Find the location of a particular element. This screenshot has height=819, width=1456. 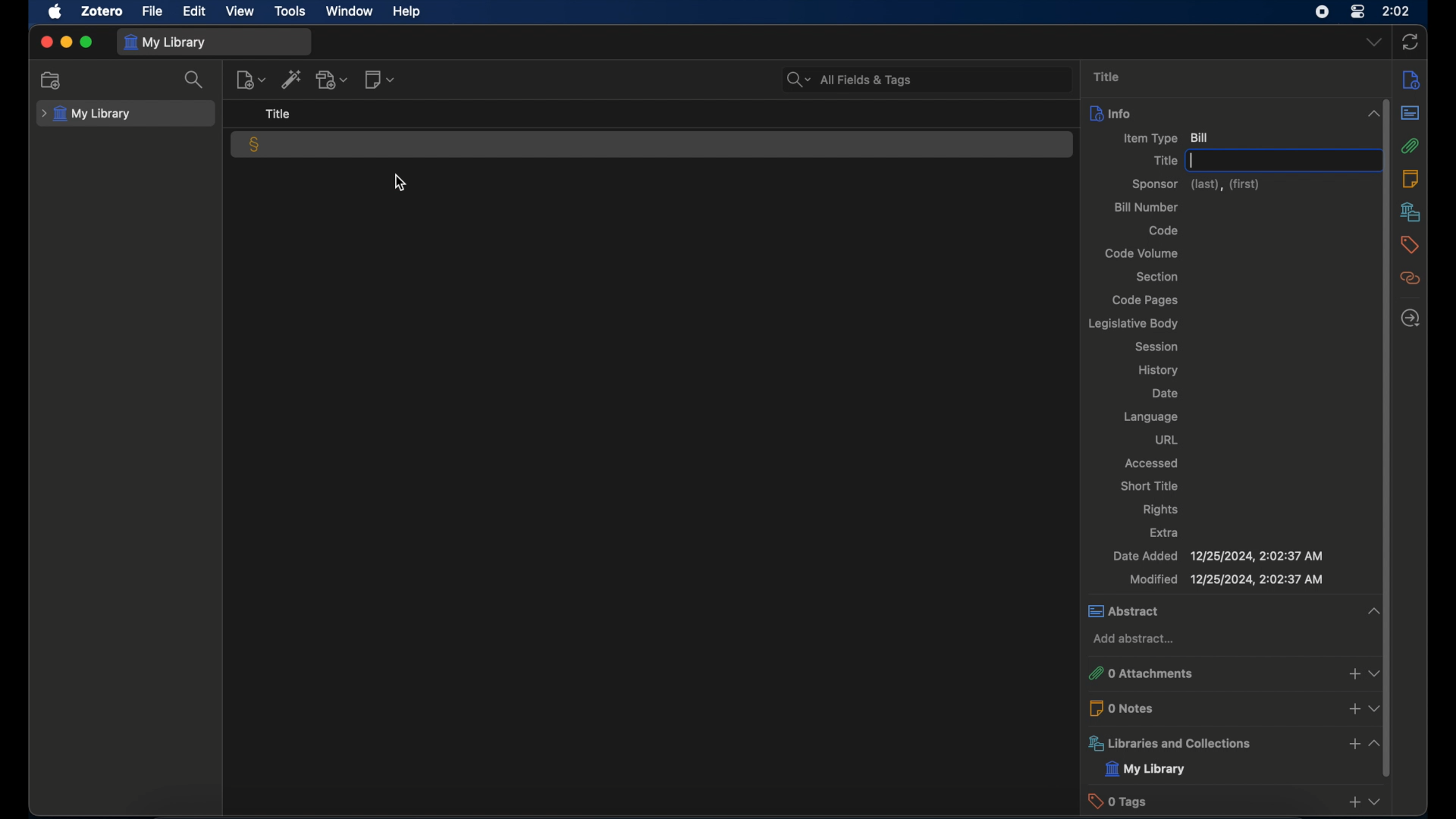

window is located at coordinates (350, 11).